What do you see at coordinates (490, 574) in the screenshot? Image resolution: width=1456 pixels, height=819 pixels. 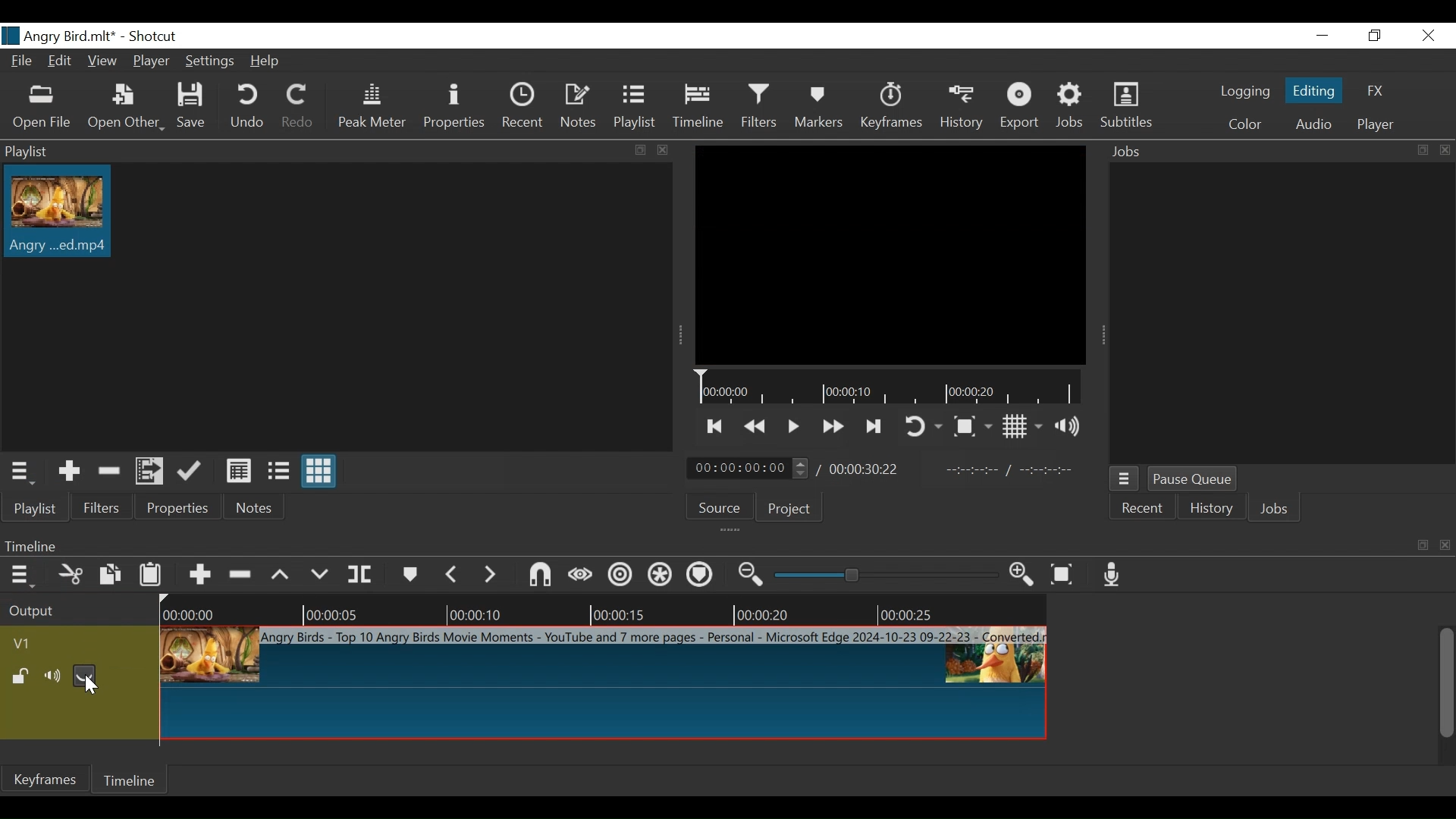 I see `next marker` at bounding box center [490, 574].